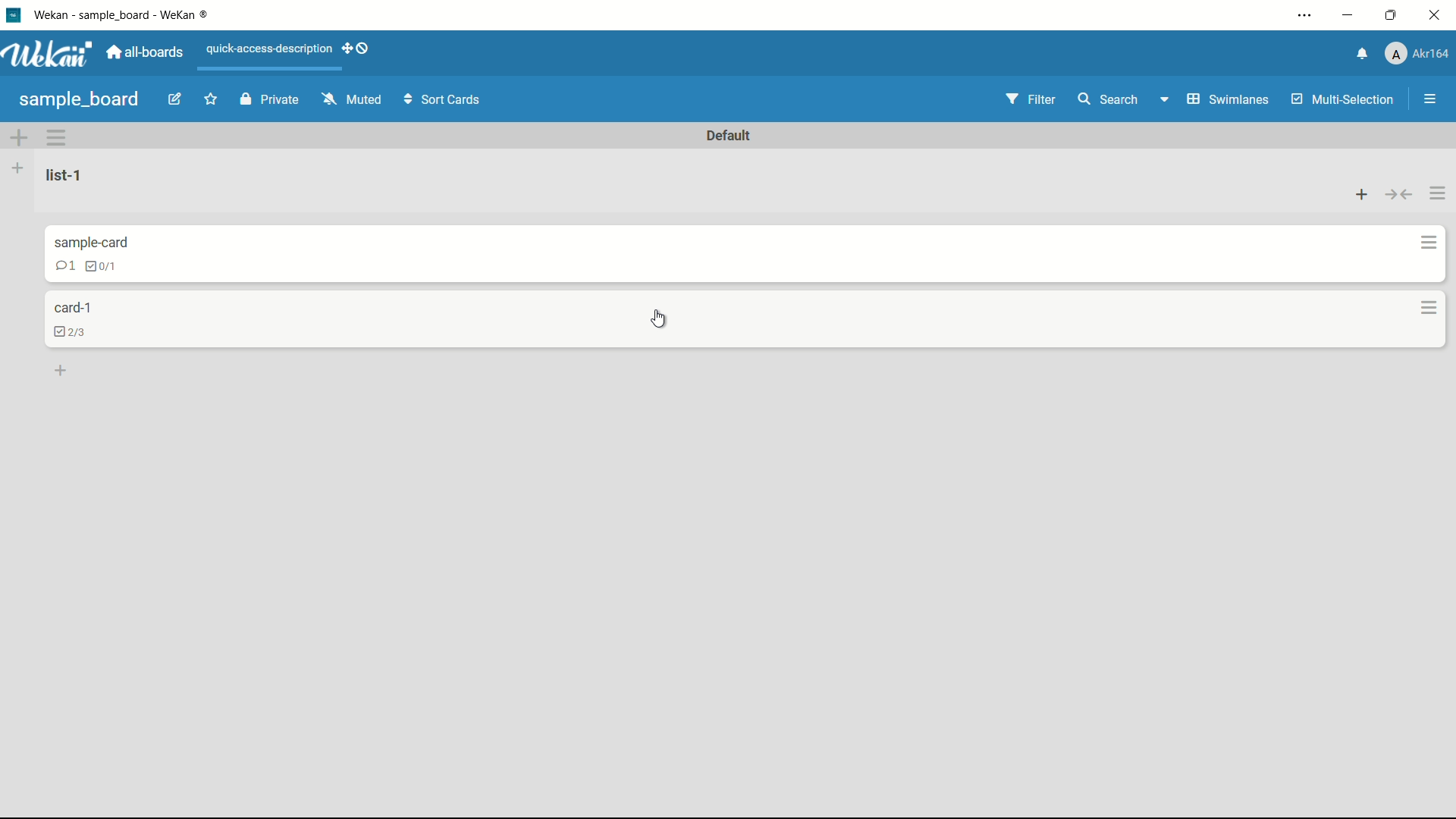 Image resolution: width=1456 pixels, height=819 pixels. I want to click on cursor, so click(661, 321).